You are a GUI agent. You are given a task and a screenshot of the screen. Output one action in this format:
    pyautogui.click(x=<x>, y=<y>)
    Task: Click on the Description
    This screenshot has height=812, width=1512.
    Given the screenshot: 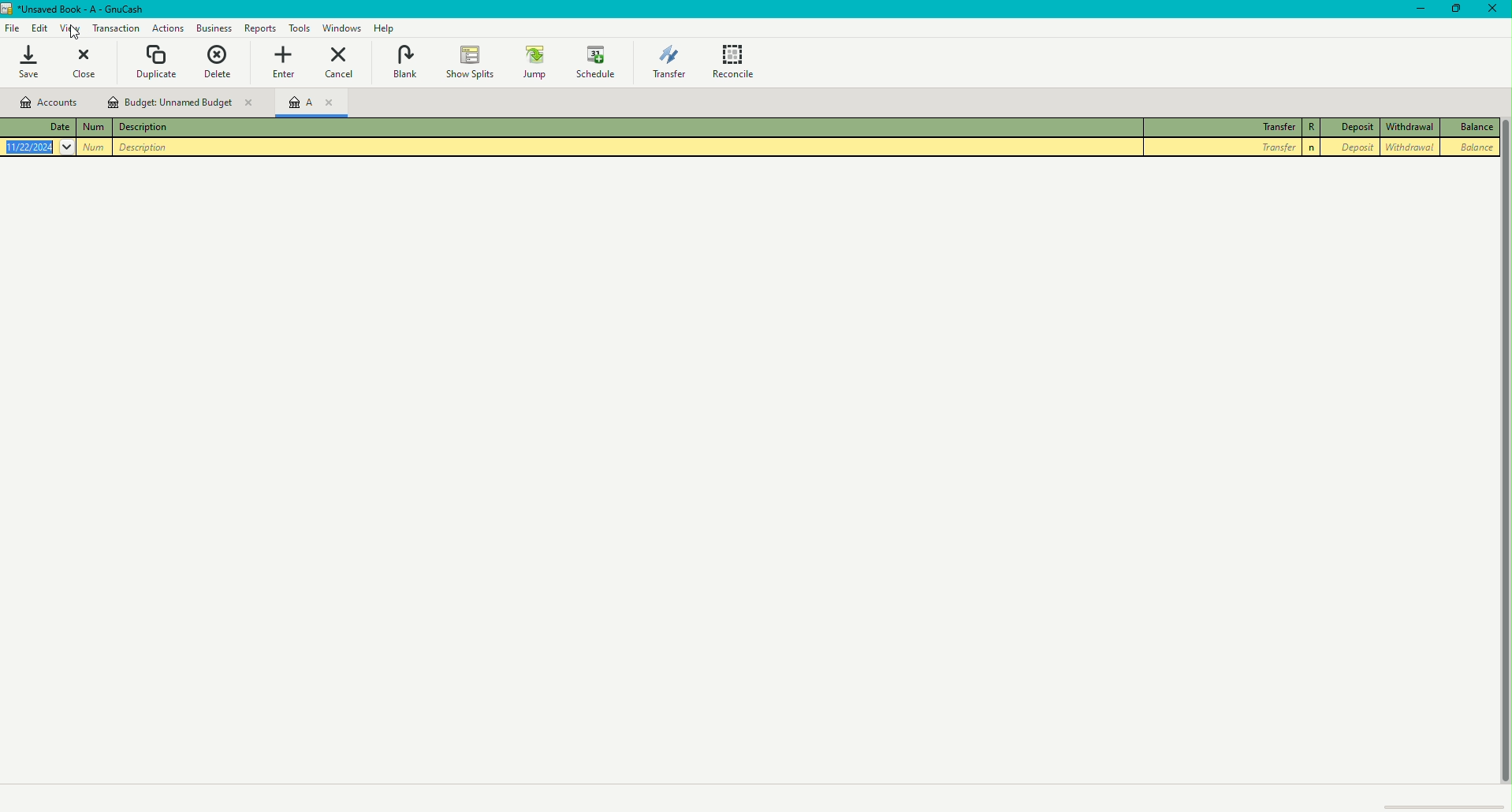 What is the action you would take?
    pyautogui.click(x=143, y=129)
    